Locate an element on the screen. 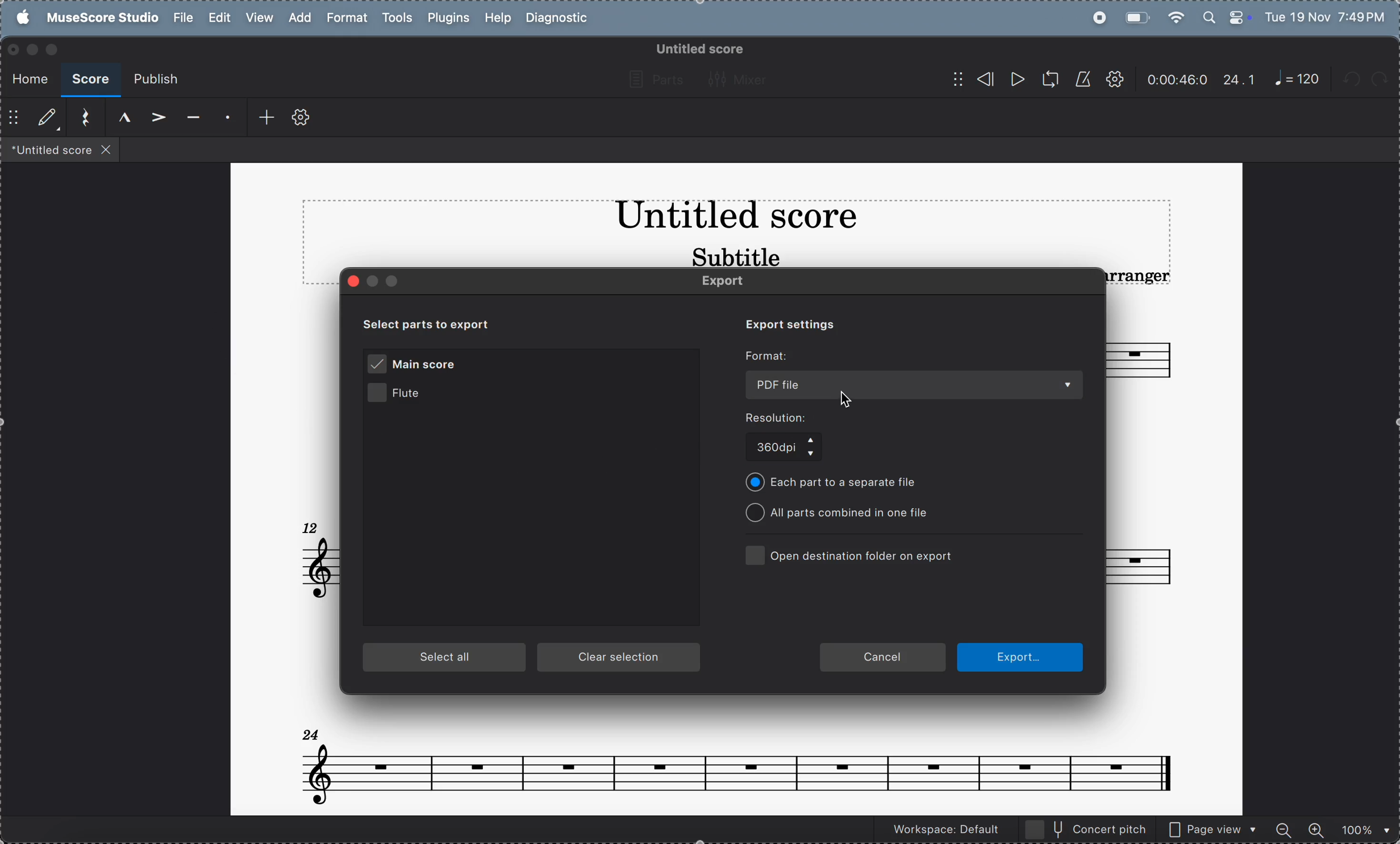  staccato is located at coordinates (225, 119).